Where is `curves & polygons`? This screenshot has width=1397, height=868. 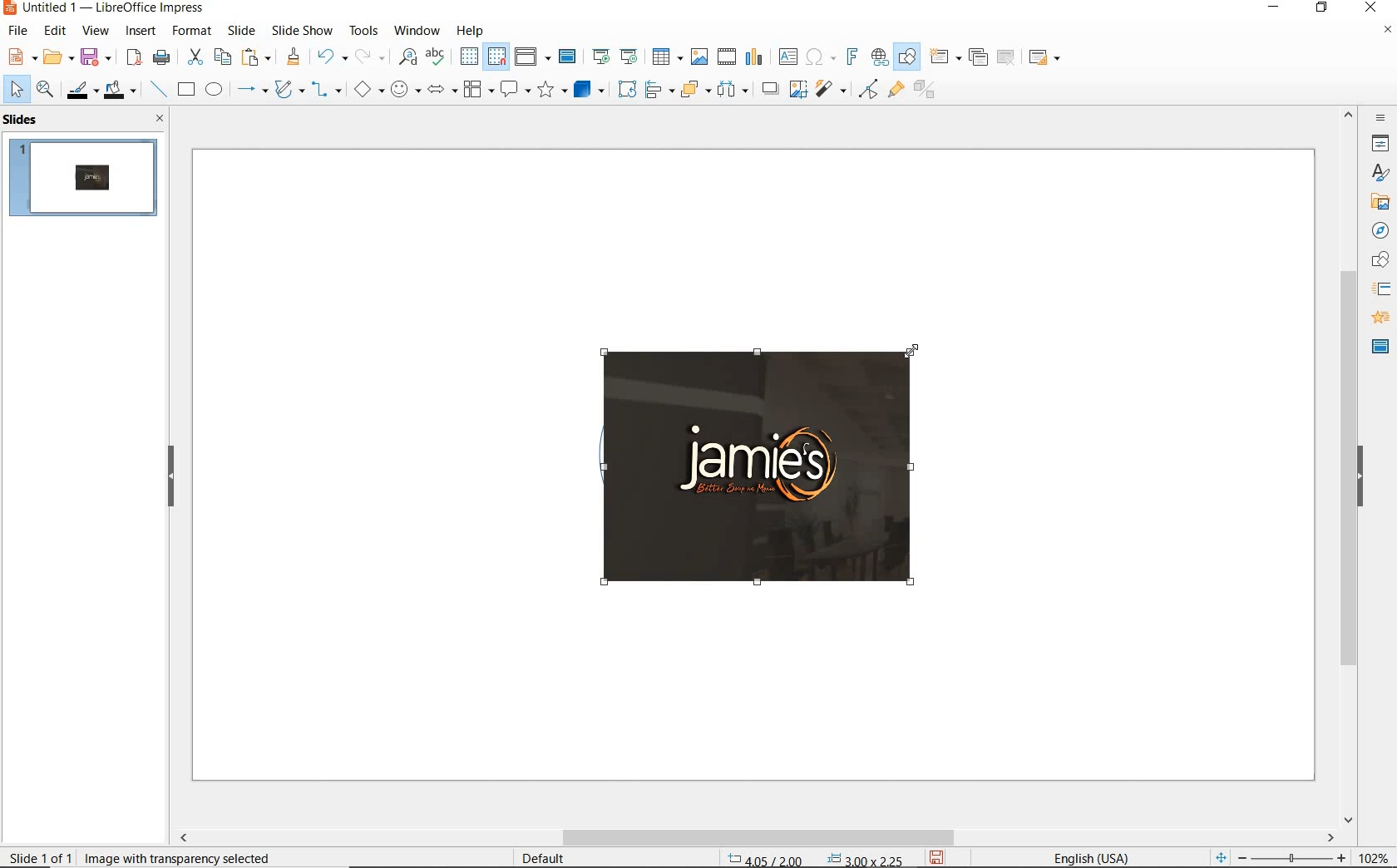
curves & polygons is located at coordinates (289, 90).